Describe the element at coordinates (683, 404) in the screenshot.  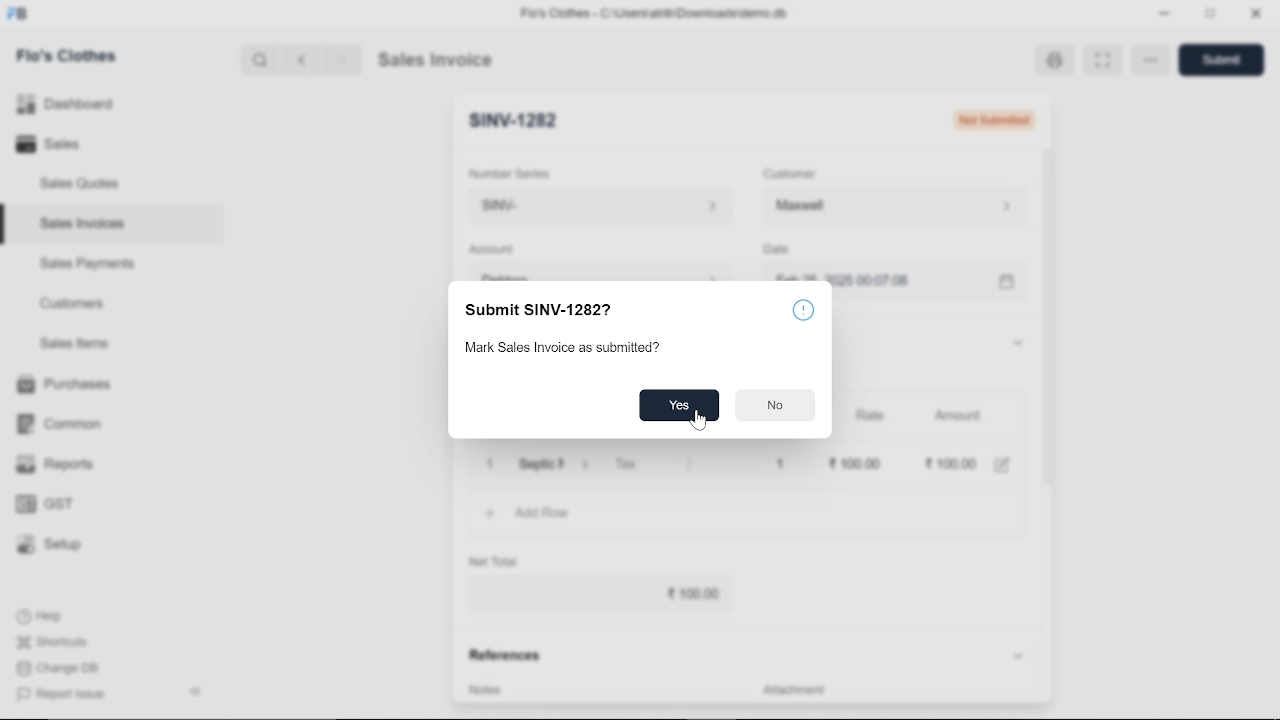
I see `yes` at that location.